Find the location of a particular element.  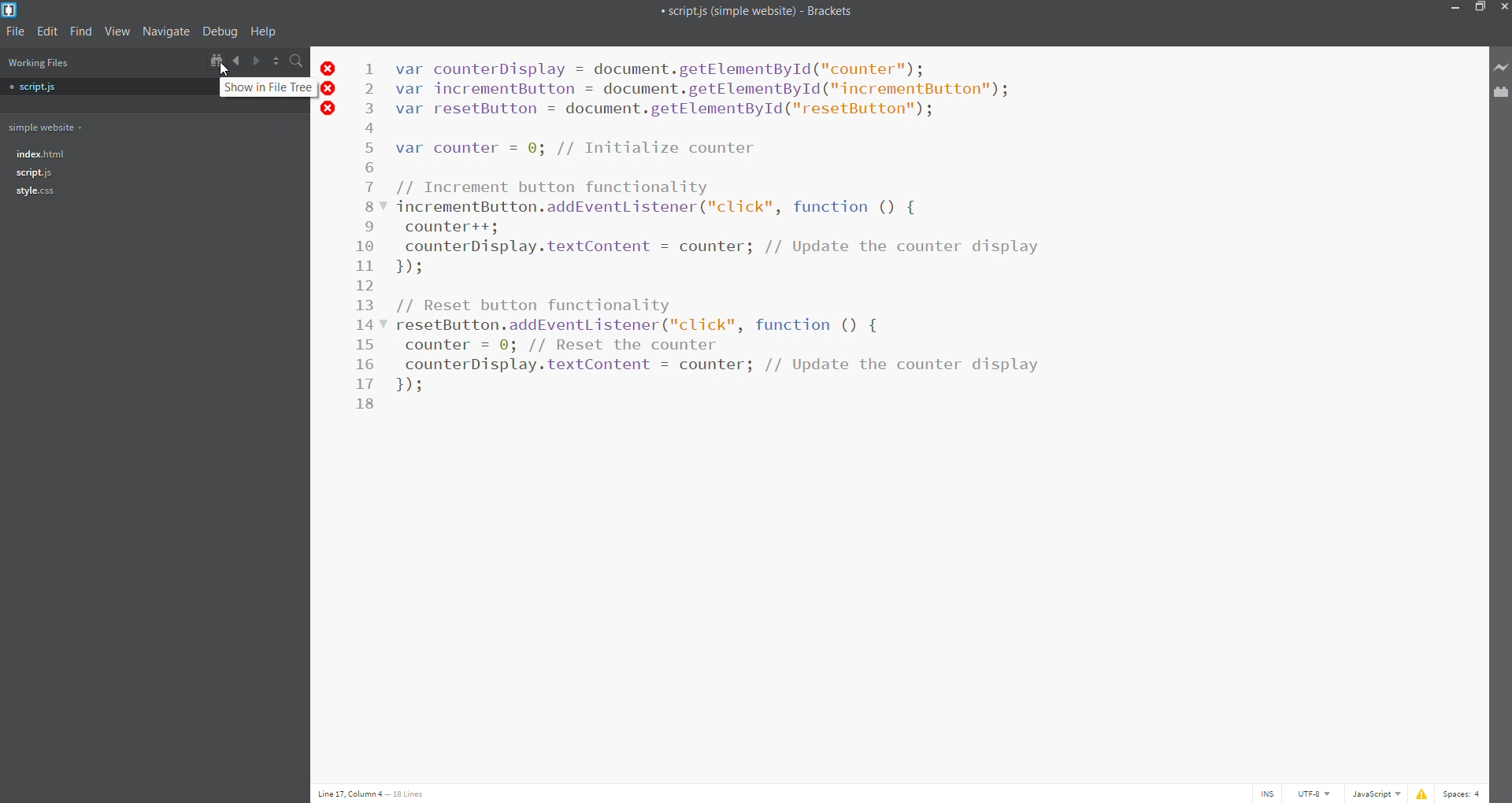

navigate is located at coordinates (165, 32).